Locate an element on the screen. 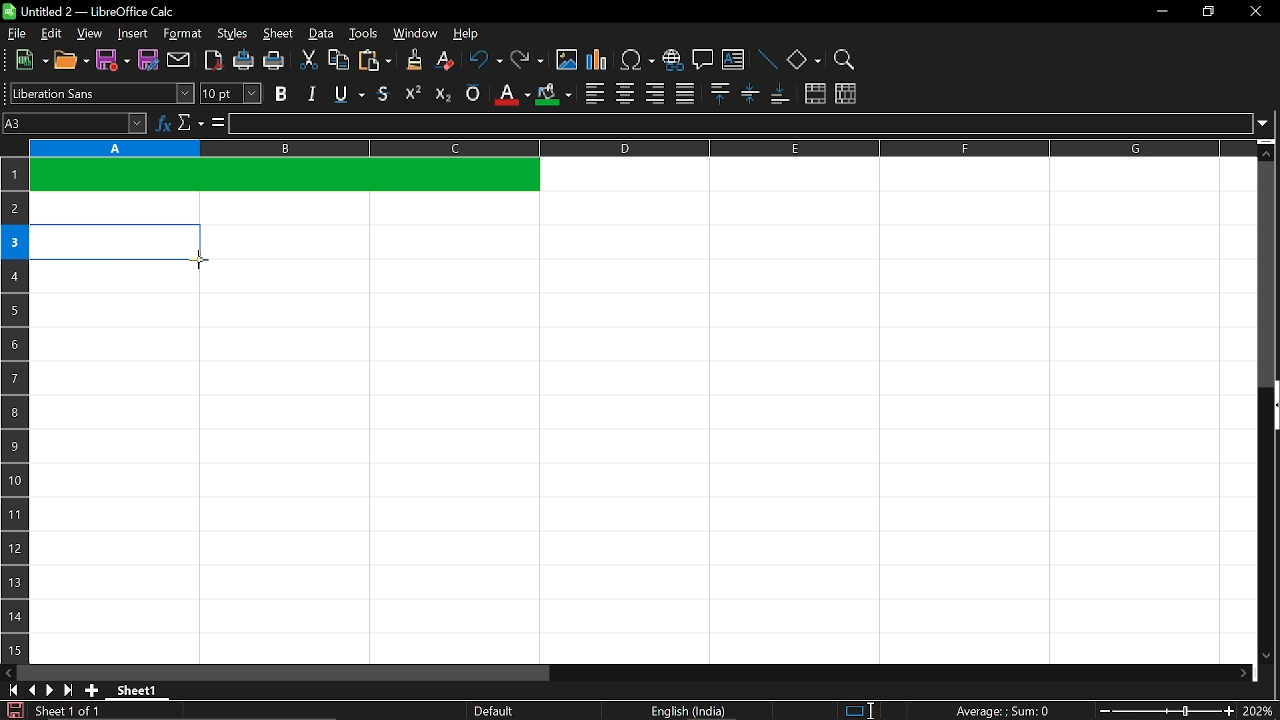 This screenshot has height=720, width=1280. function wizard is located at coordinates (163, 124).